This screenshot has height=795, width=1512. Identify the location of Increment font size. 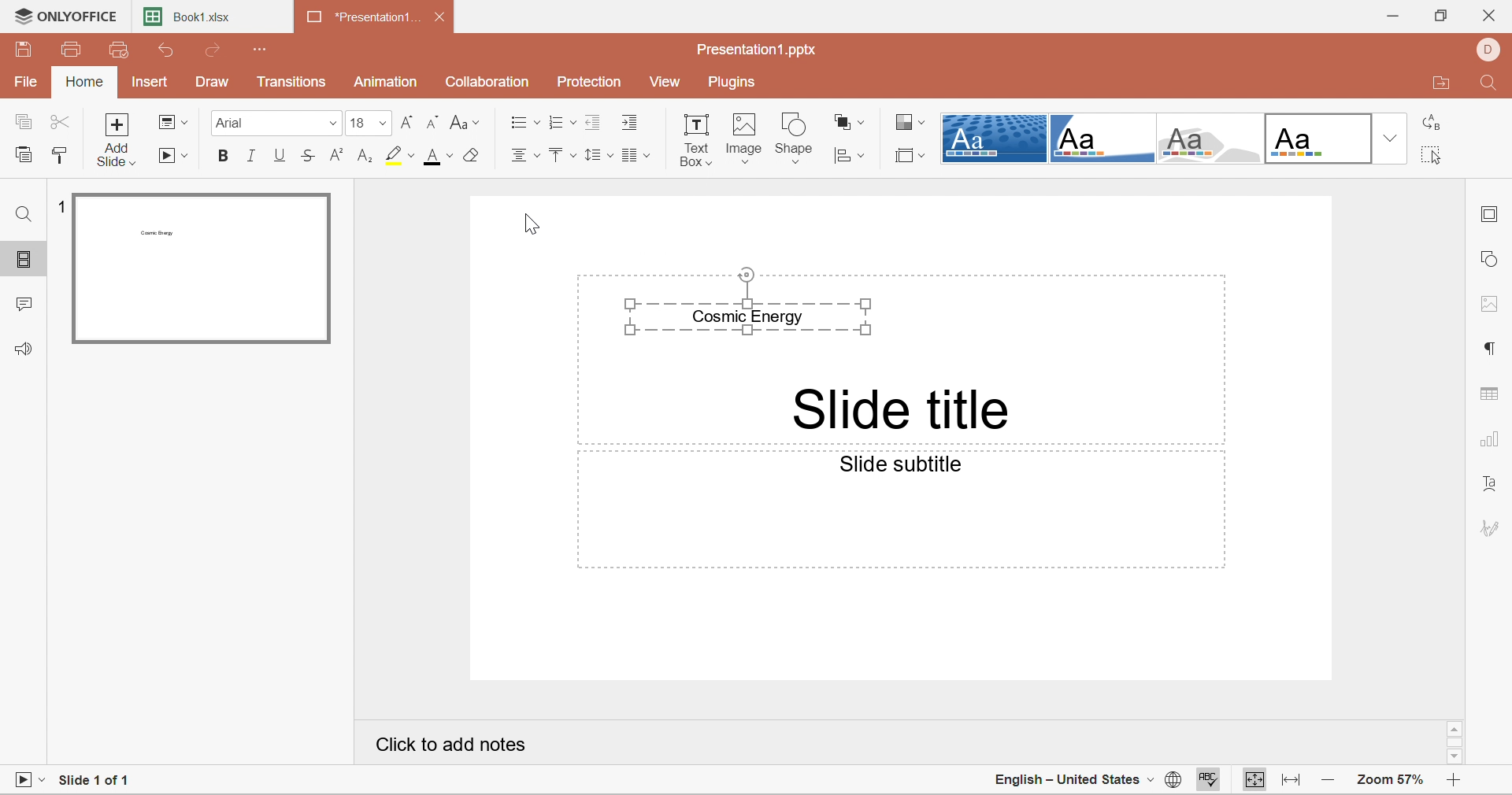
(407, 122).